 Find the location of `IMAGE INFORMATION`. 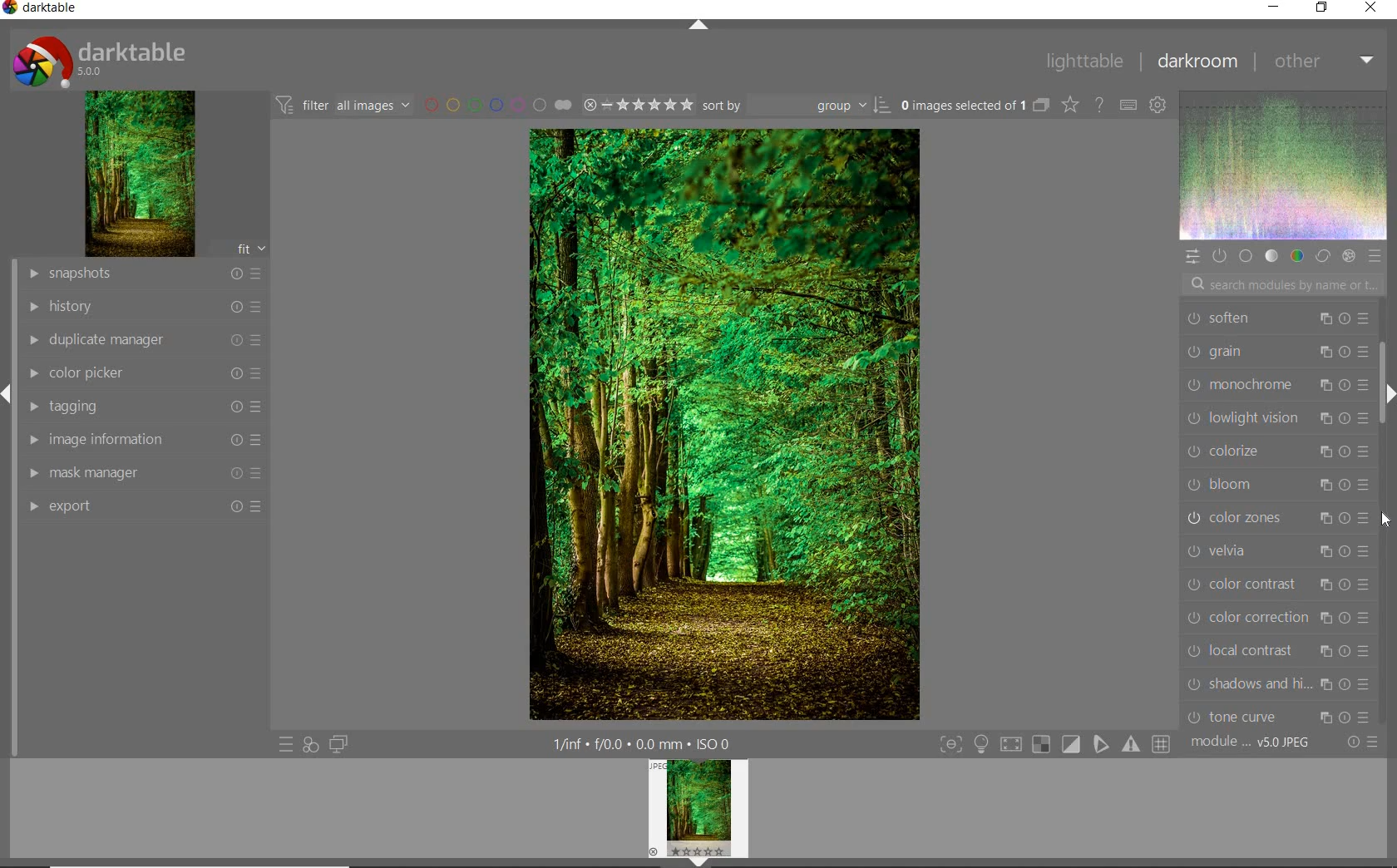

IMAGE INFORMATION is located at coordinates (146, 441).